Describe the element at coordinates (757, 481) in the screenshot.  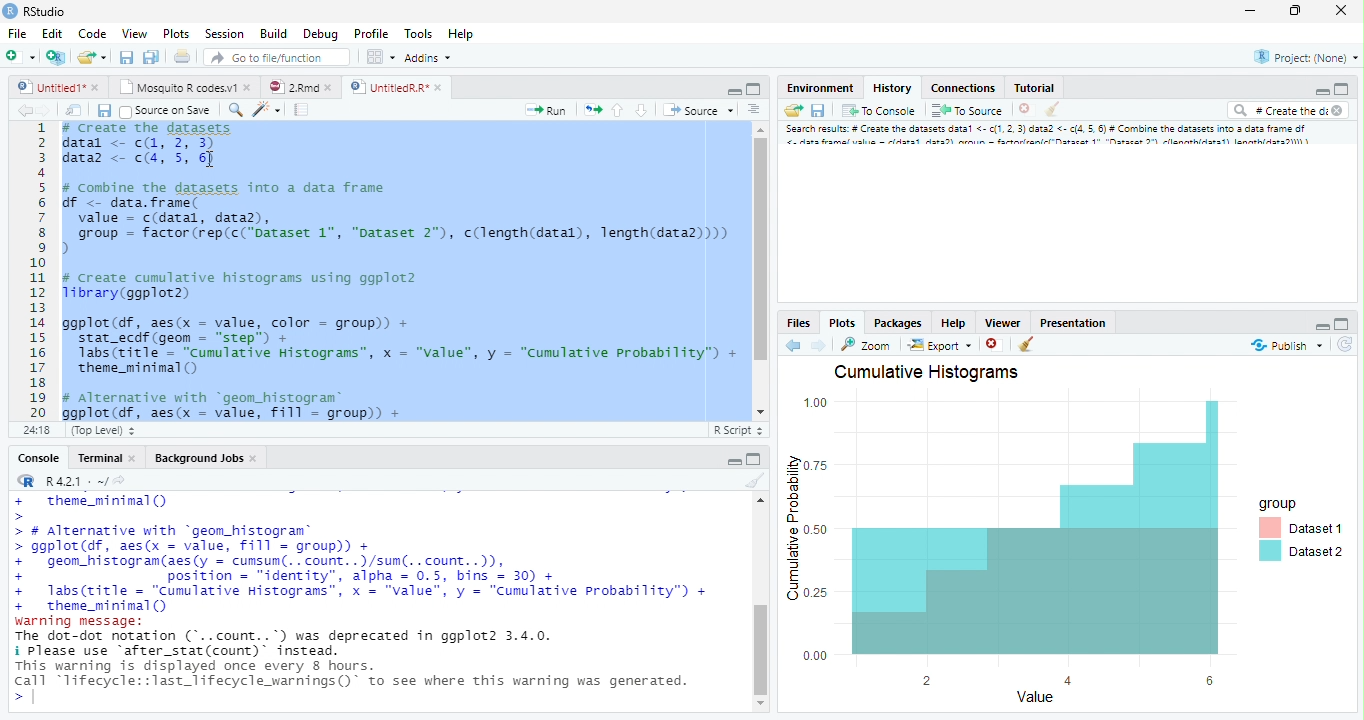
I see `Clear Console` at that location.